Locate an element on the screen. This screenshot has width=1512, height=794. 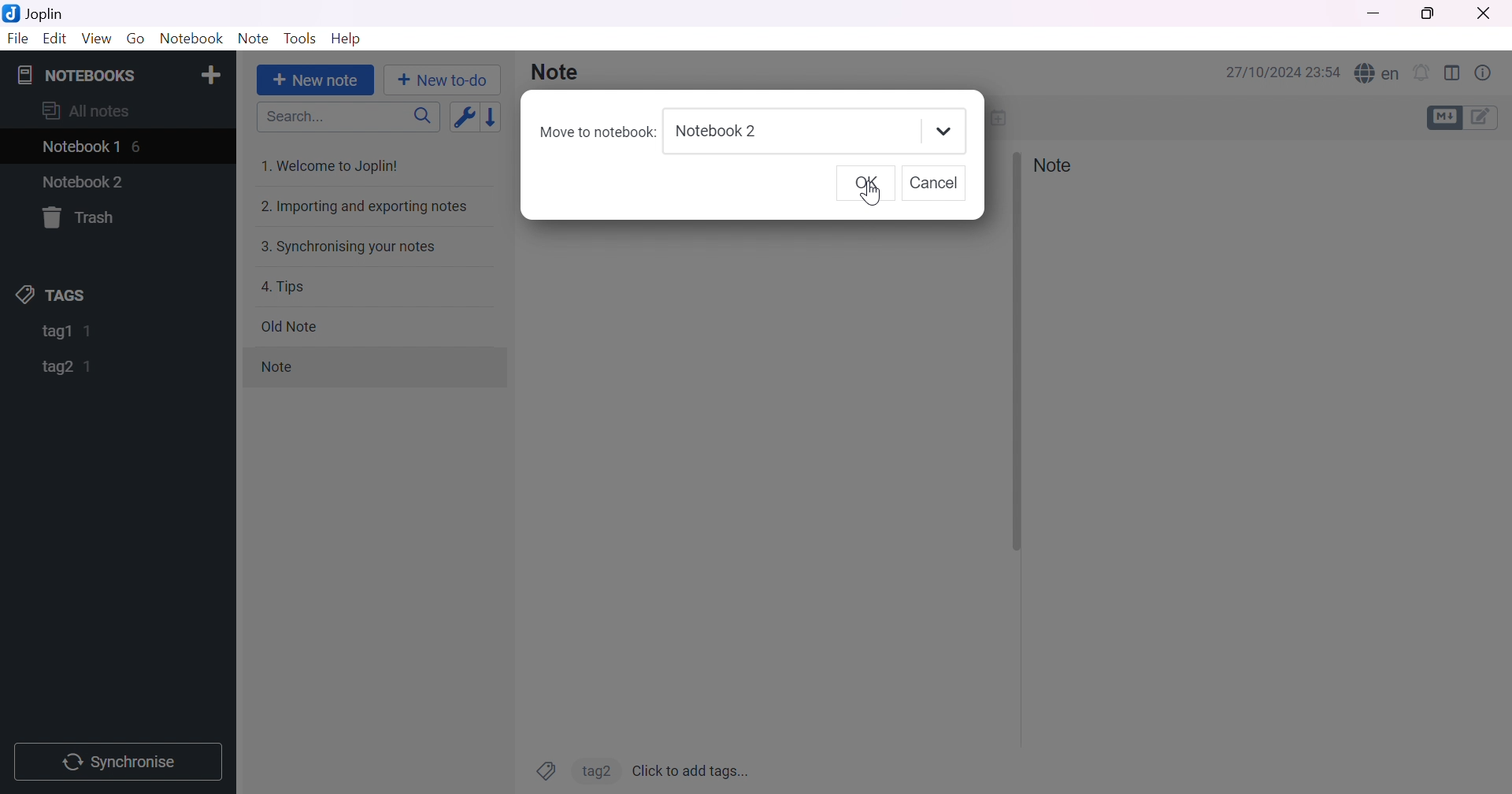
27/10/2024 23:54 is located at coordinates (1284, 72).